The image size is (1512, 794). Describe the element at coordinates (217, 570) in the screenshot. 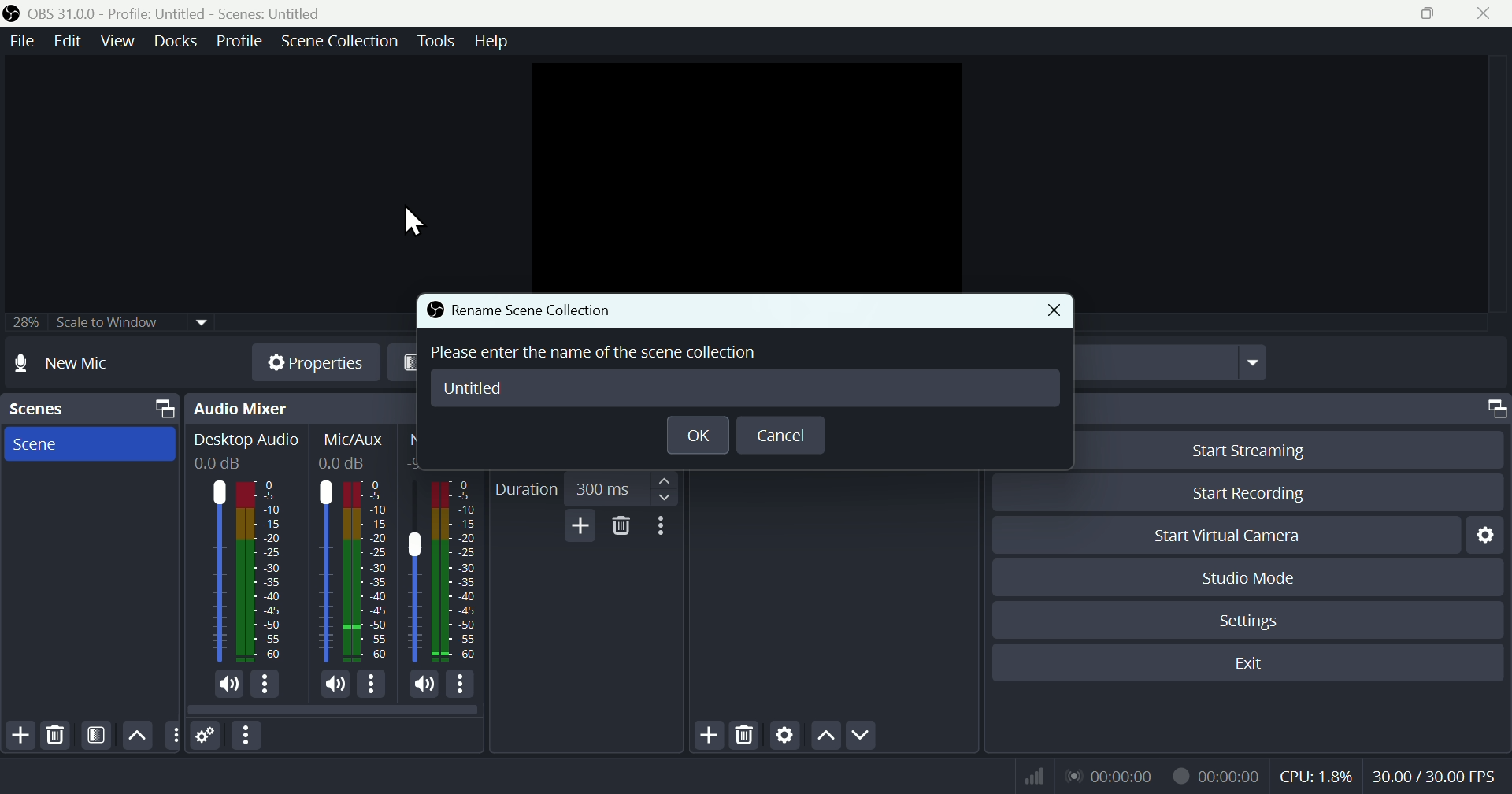

I see `Desktop Audio` at that location.